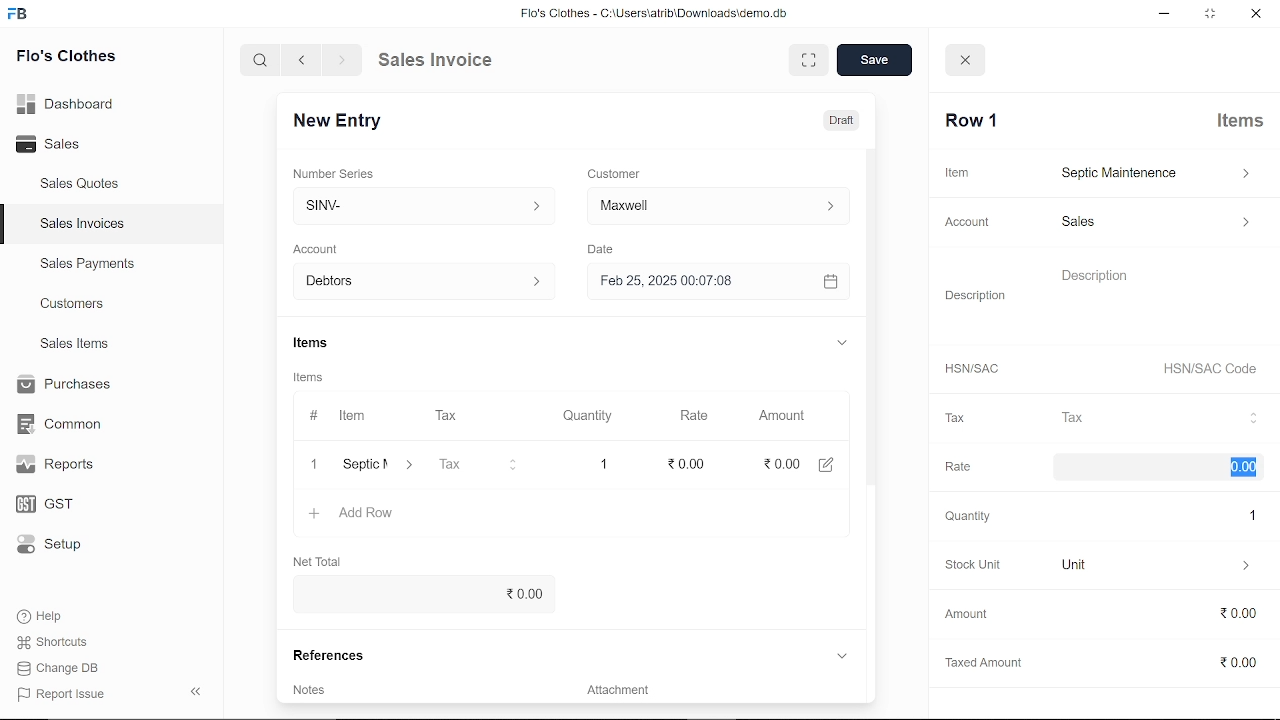 The image size is (1280, 720). Describe the element at coordinates (1156, 173) in the screenshot. I see `septic maintenance` at that location.